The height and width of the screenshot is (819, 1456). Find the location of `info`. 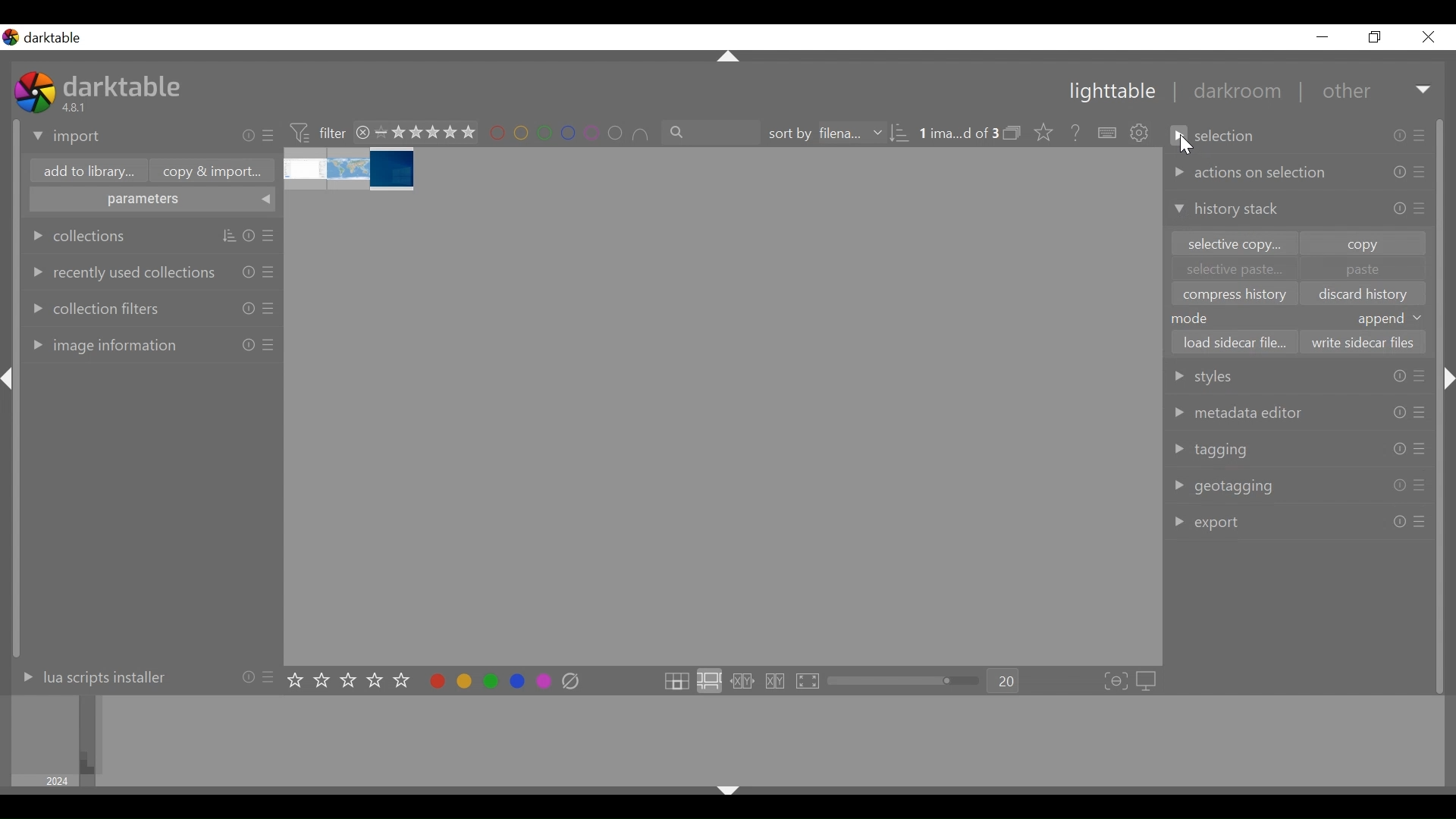

info is located at coordinates (1401, 136).